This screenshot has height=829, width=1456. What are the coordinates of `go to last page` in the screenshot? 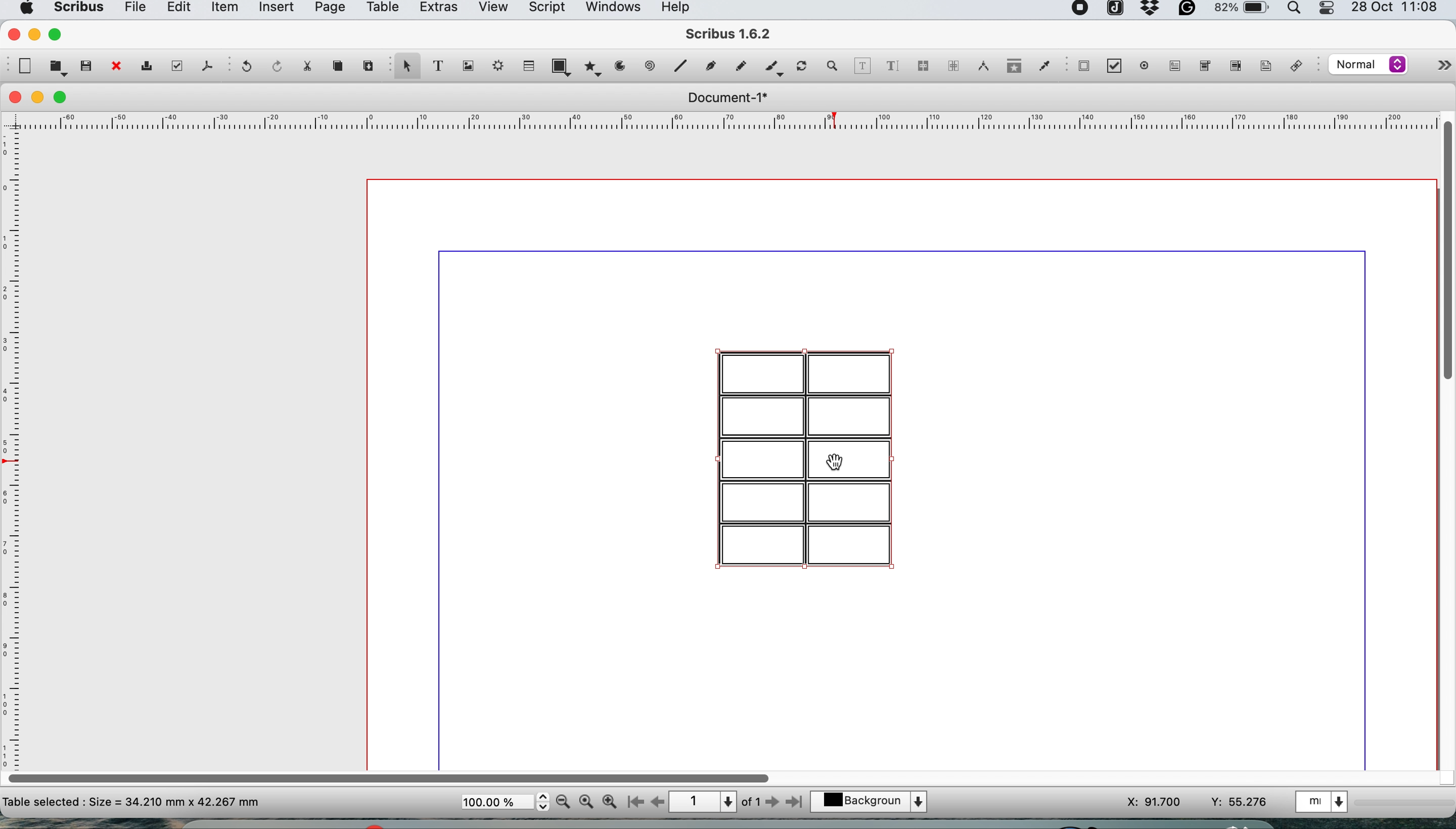 It's located at (797, 801).